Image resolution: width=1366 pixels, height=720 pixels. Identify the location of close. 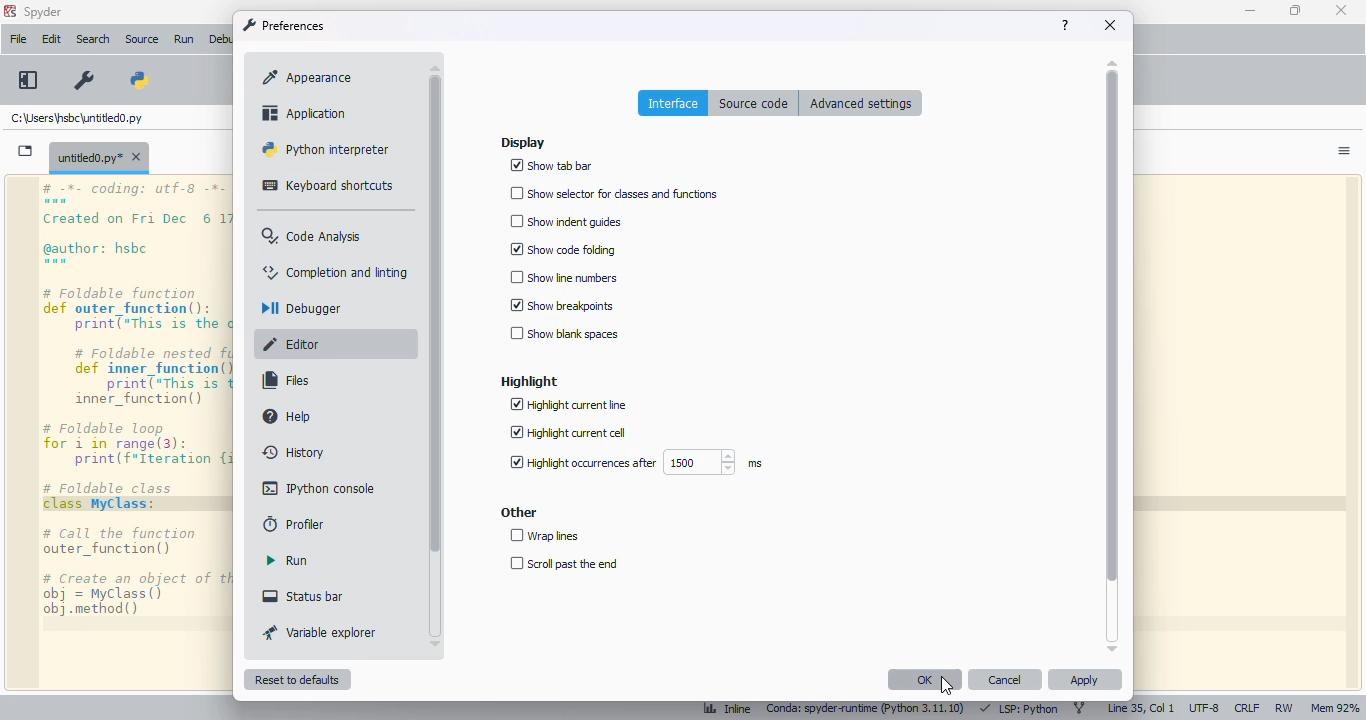
(1341, 10).